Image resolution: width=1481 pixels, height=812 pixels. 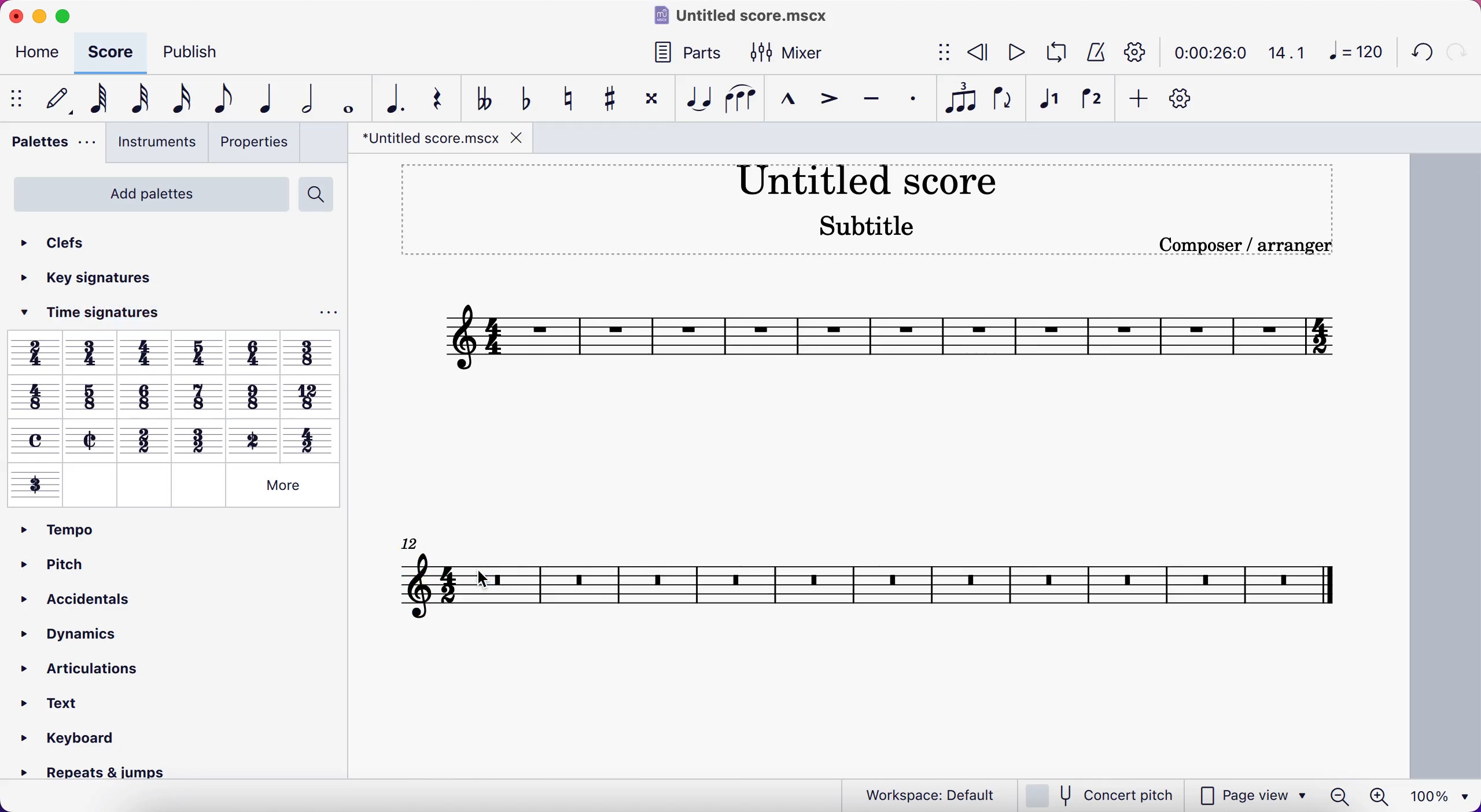 What do you see at coordinates (521, 97) in the screenshot?
I see `toggle flat` at bounding box center [521, 97].